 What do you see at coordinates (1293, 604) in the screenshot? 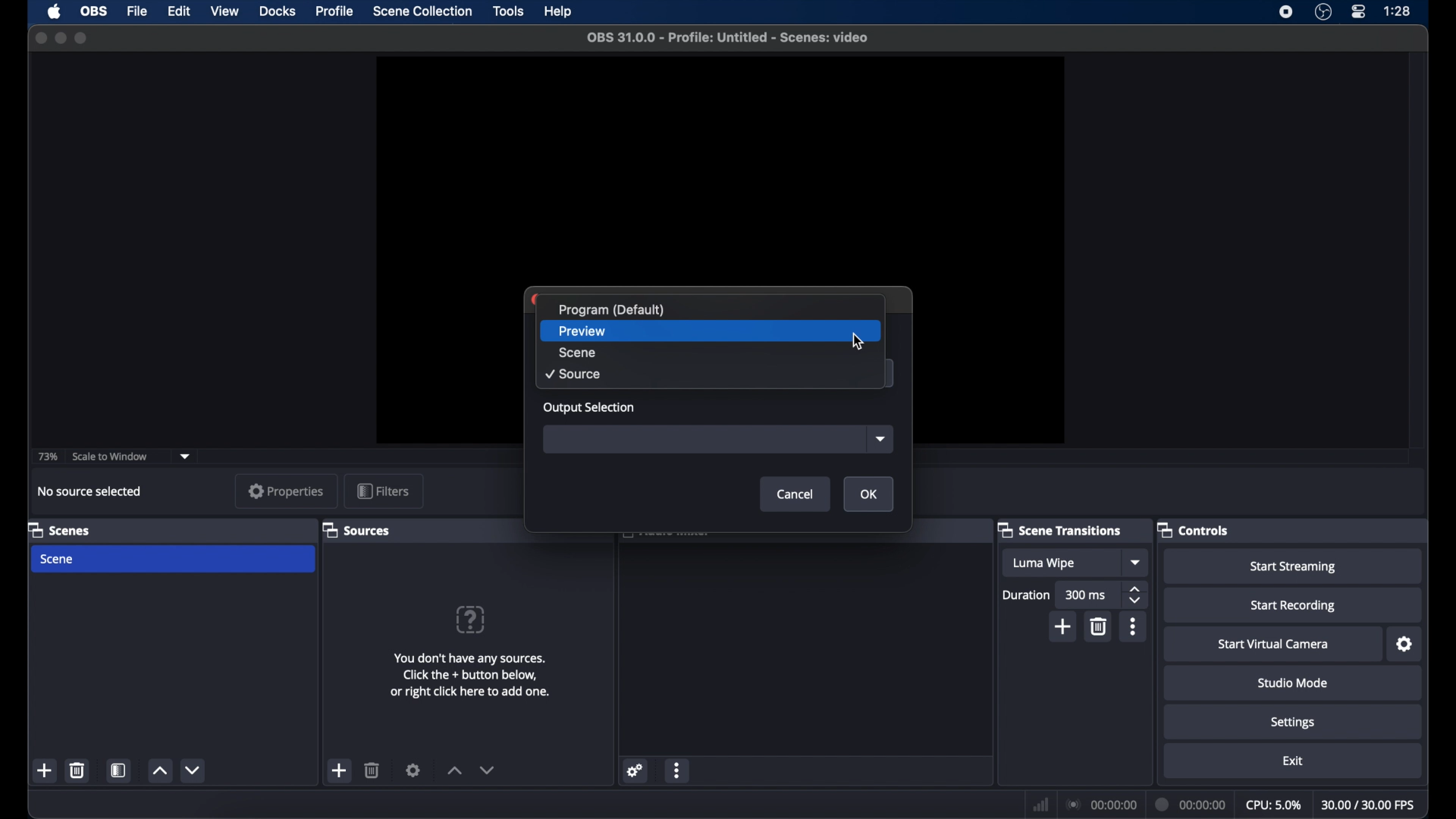
I see `start recording` at bounding box center [1293, 604].